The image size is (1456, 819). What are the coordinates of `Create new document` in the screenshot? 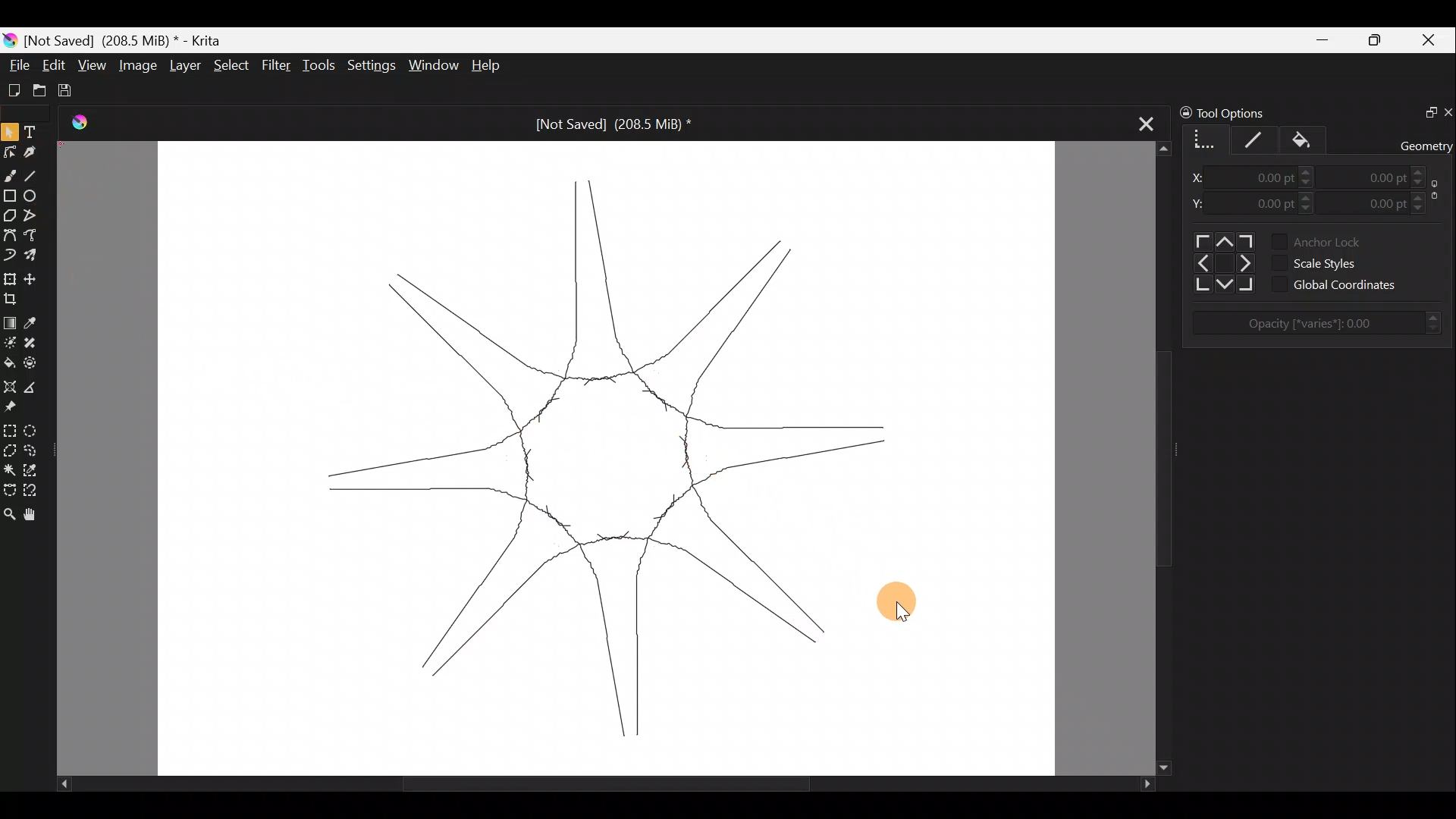 It's located at (14, 90).